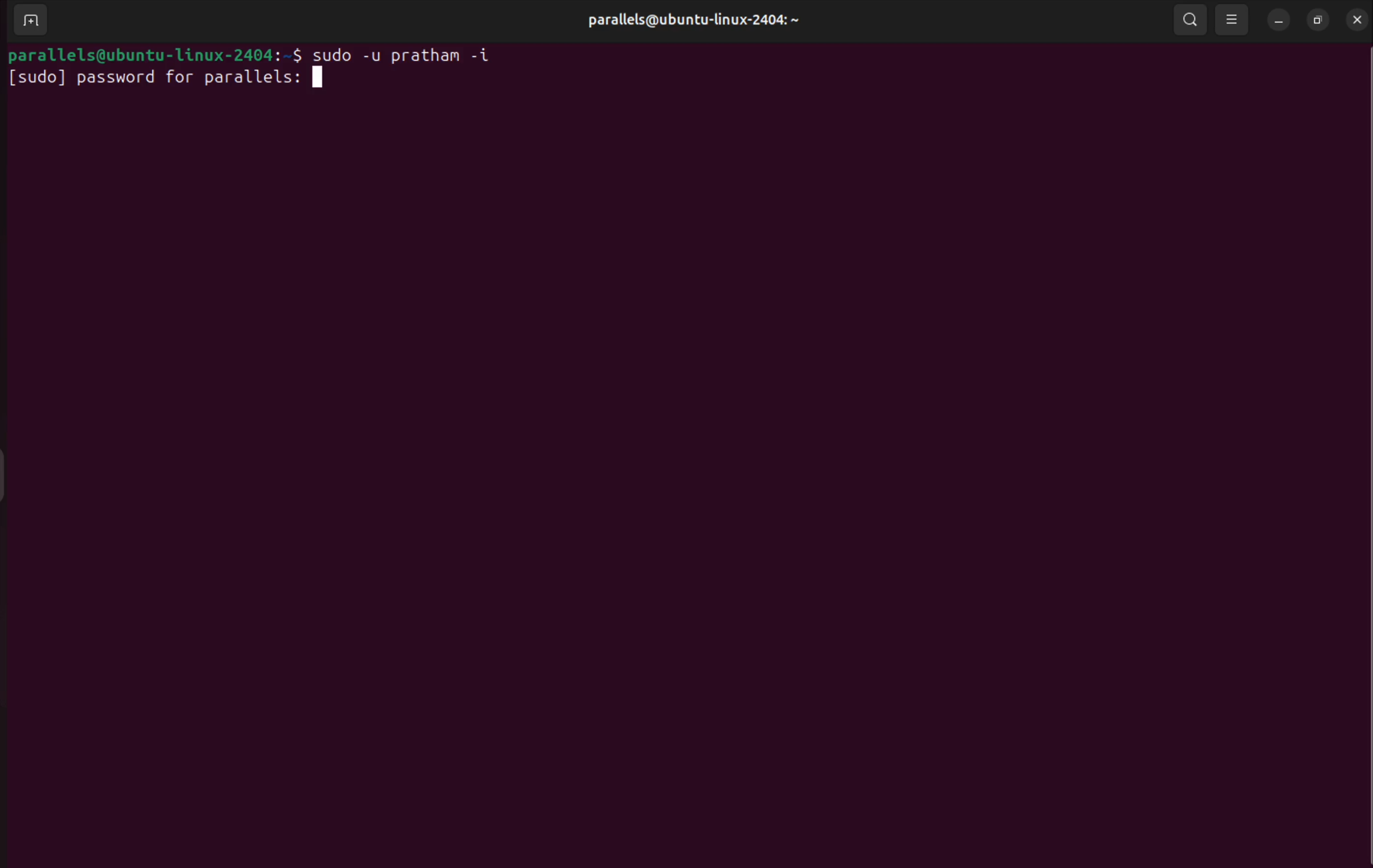  What do you see at coordinates (691, 21) in the screenshot?
I see `parallels username` at bounding box center [691, 21].